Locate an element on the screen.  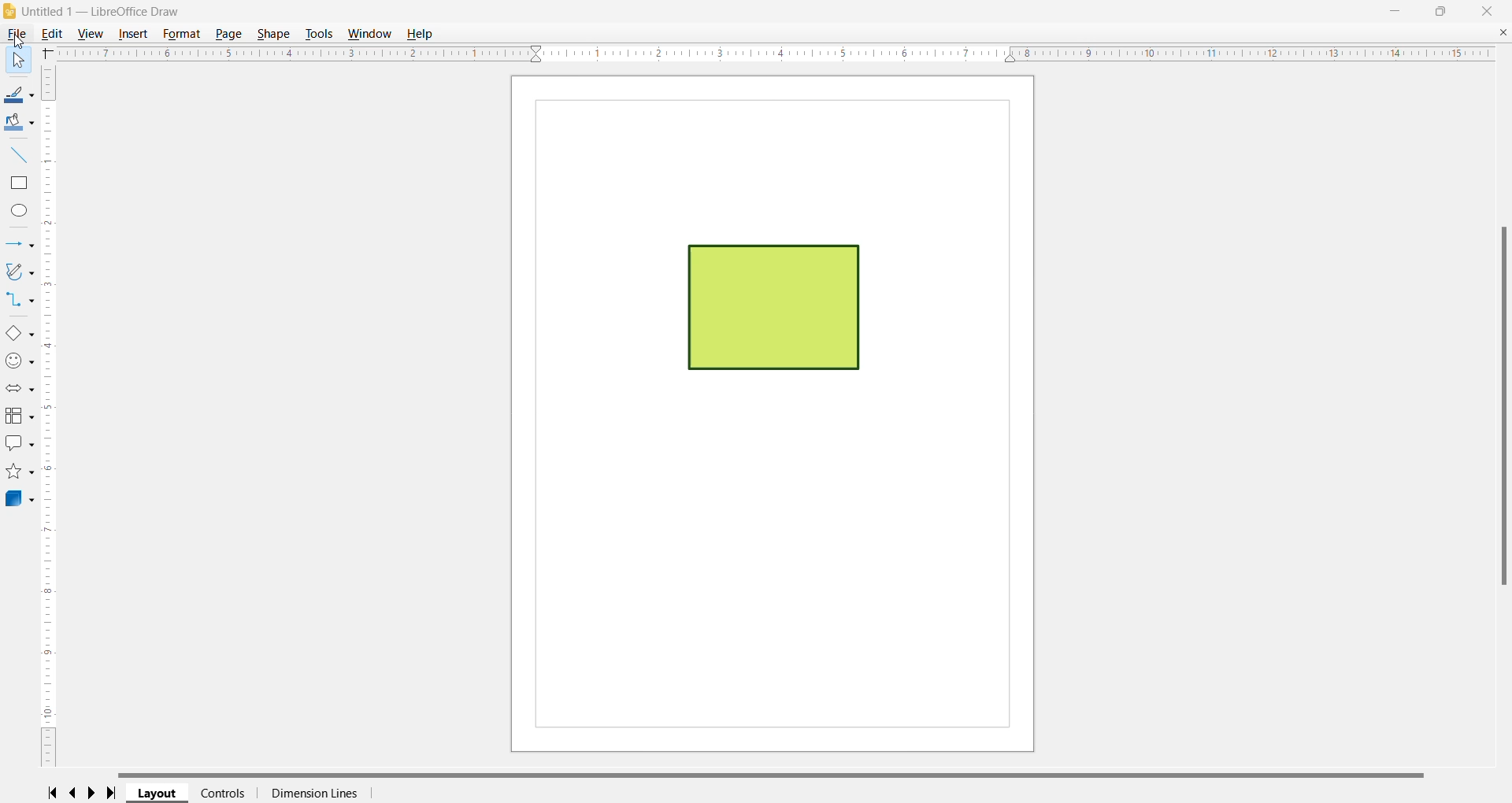
Horizontal Scroll Bar is located at coordinates (780, 774).